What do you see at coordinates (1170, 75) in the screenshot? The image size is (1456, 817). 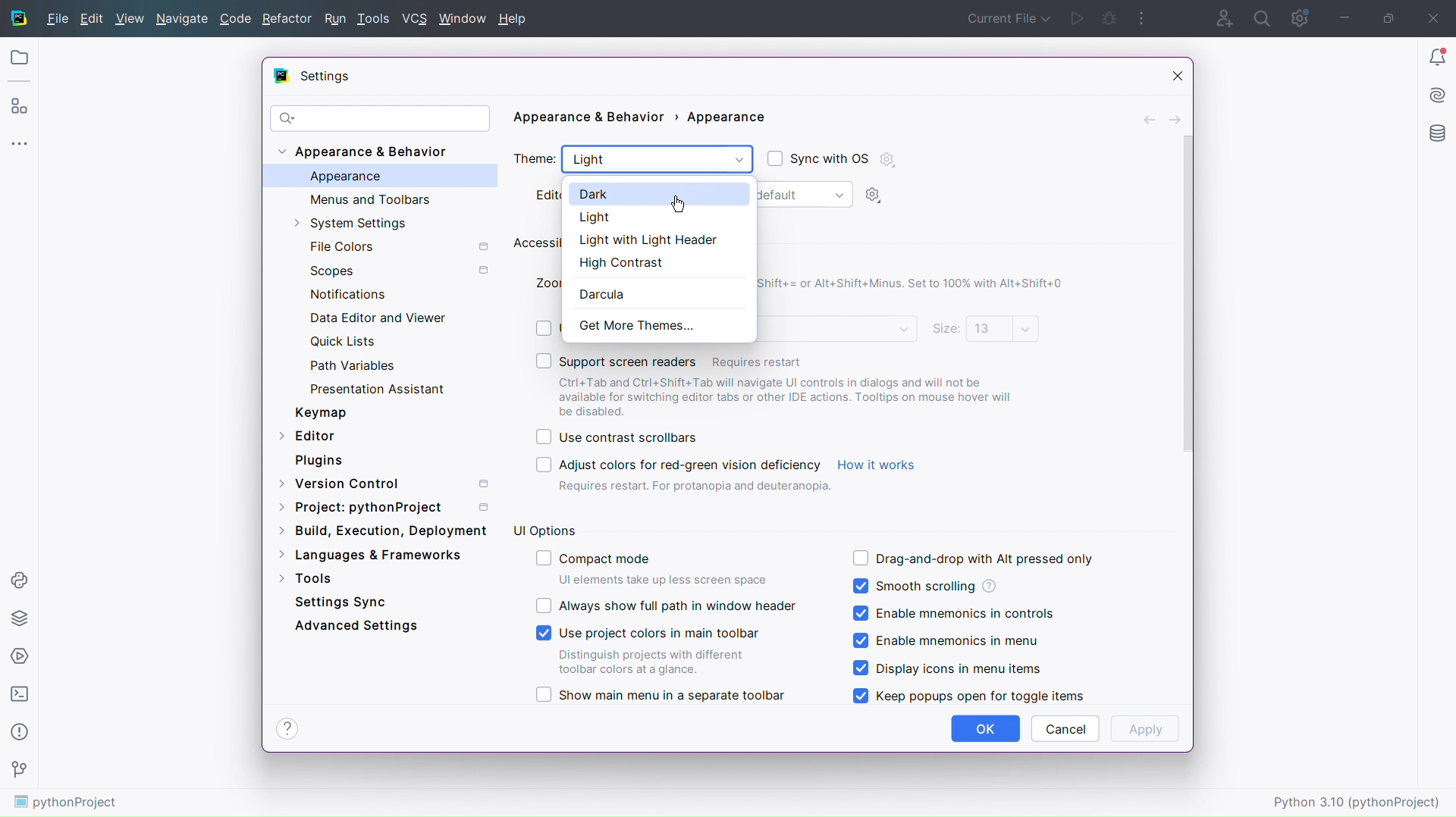 I see `Close` at bounding box center [1170, 75].